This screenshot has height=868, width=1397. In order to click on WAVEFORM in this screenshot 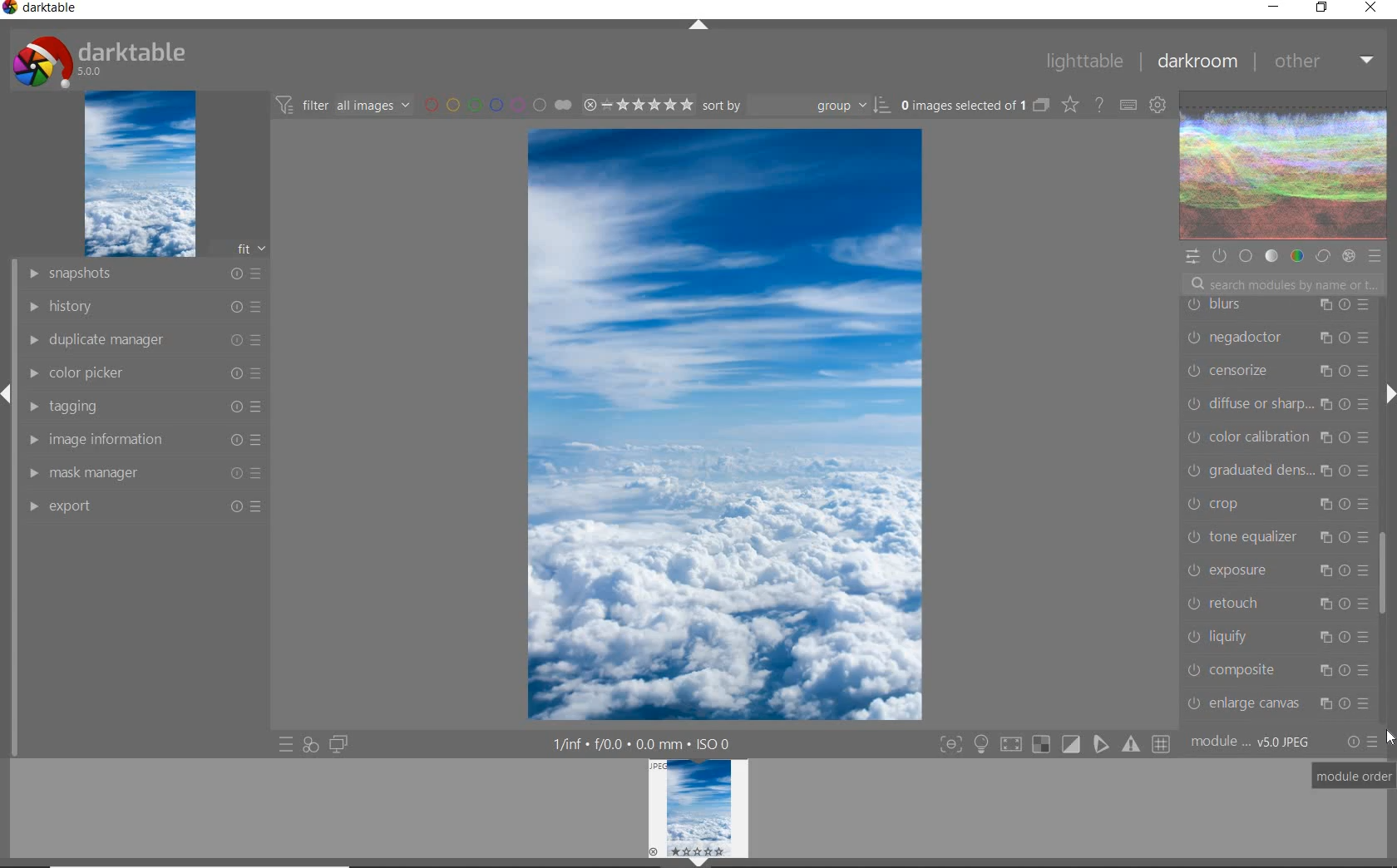, I will do `click(1284, 166)`.